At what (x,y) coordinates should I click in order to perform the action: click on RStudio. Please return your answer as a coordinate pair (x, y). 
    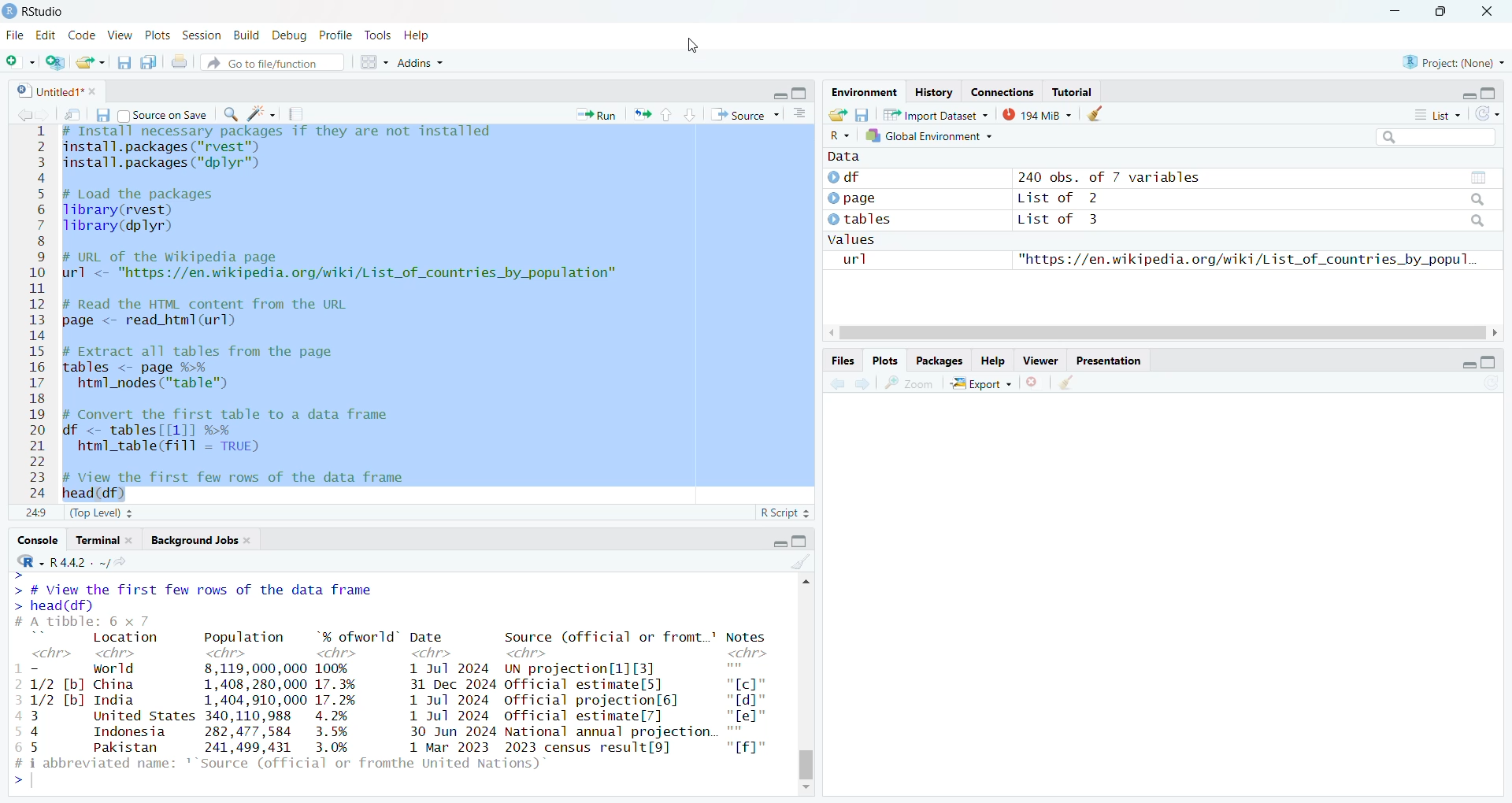
    Looking at the image, I should click on (42, 12).